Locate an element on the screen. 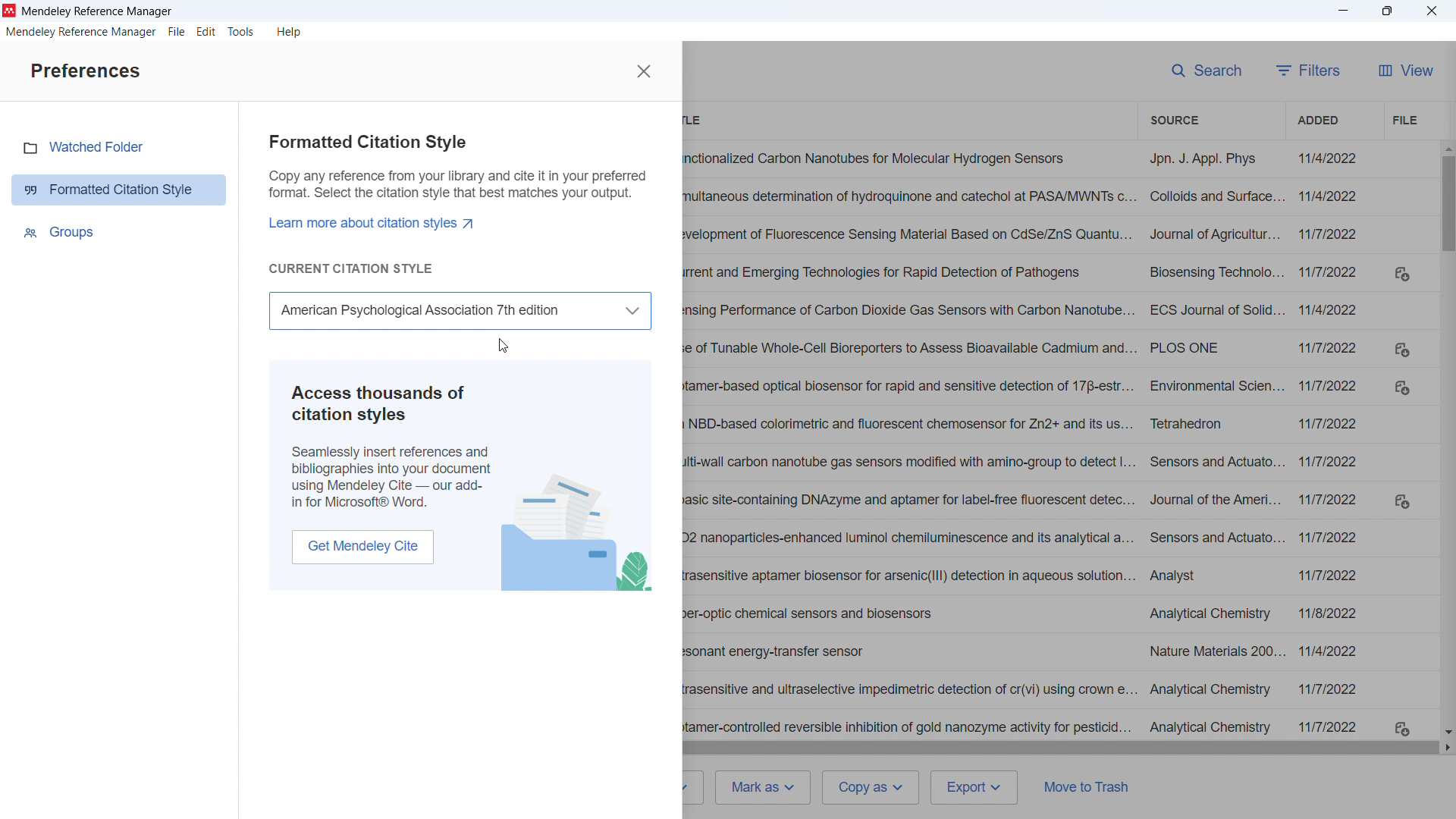 This screenshot has height=819, width=1456. search  is located at coordinates (1204, 71).